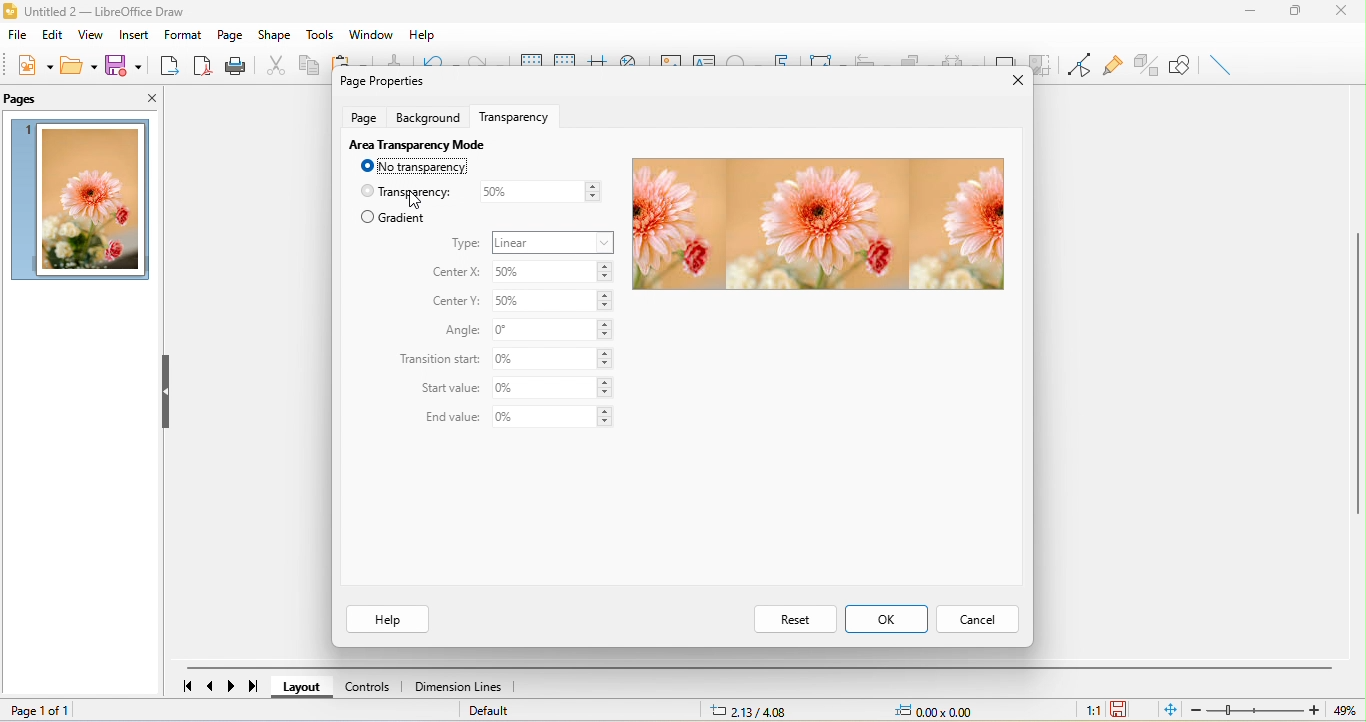 Image resolution: width=1366 pixels, height=722 pixels. I want to click on maximize, so click(1305, 13).